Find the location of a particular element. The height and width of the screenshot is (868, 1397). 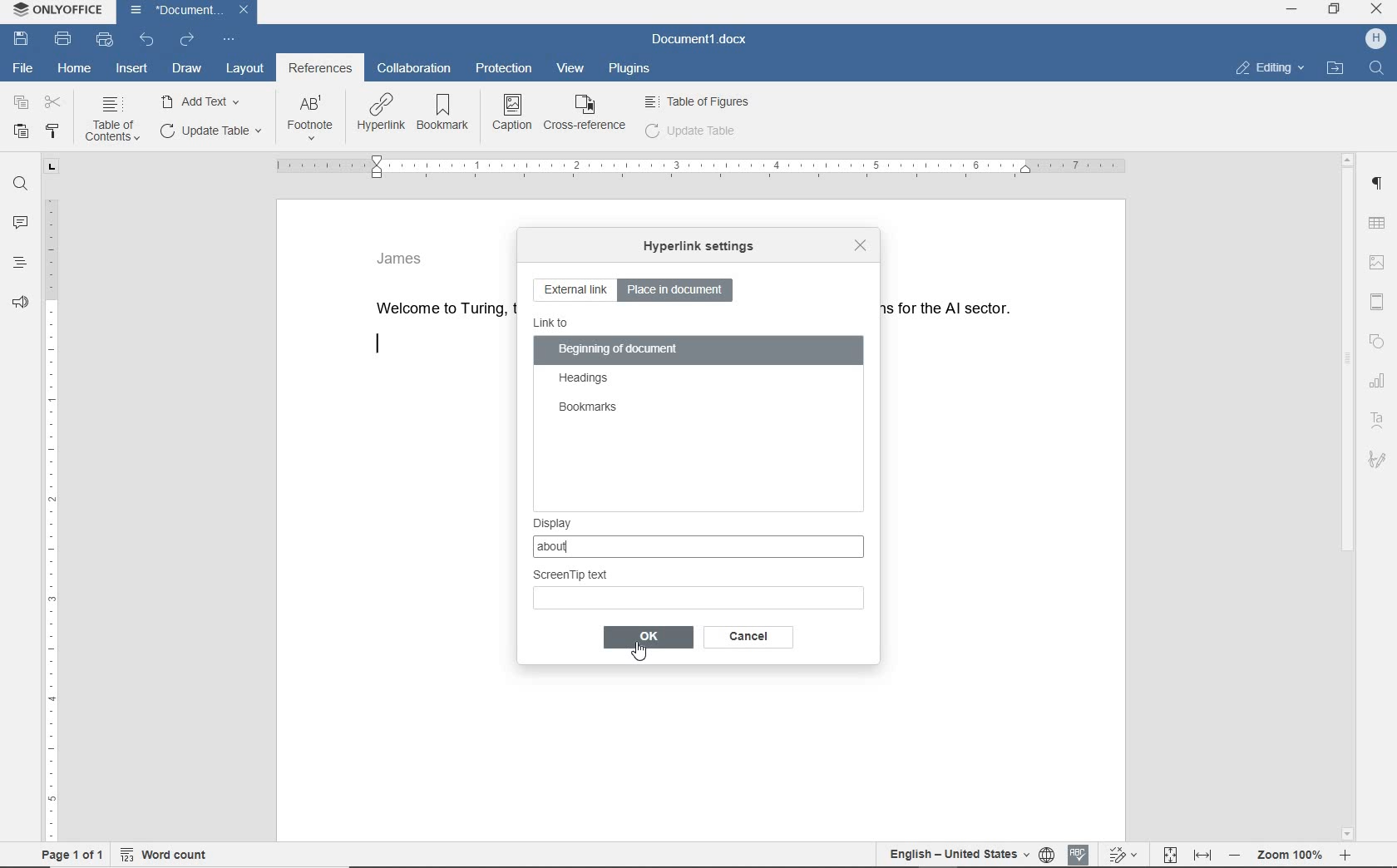

layout is located at coordinates (244, 67).